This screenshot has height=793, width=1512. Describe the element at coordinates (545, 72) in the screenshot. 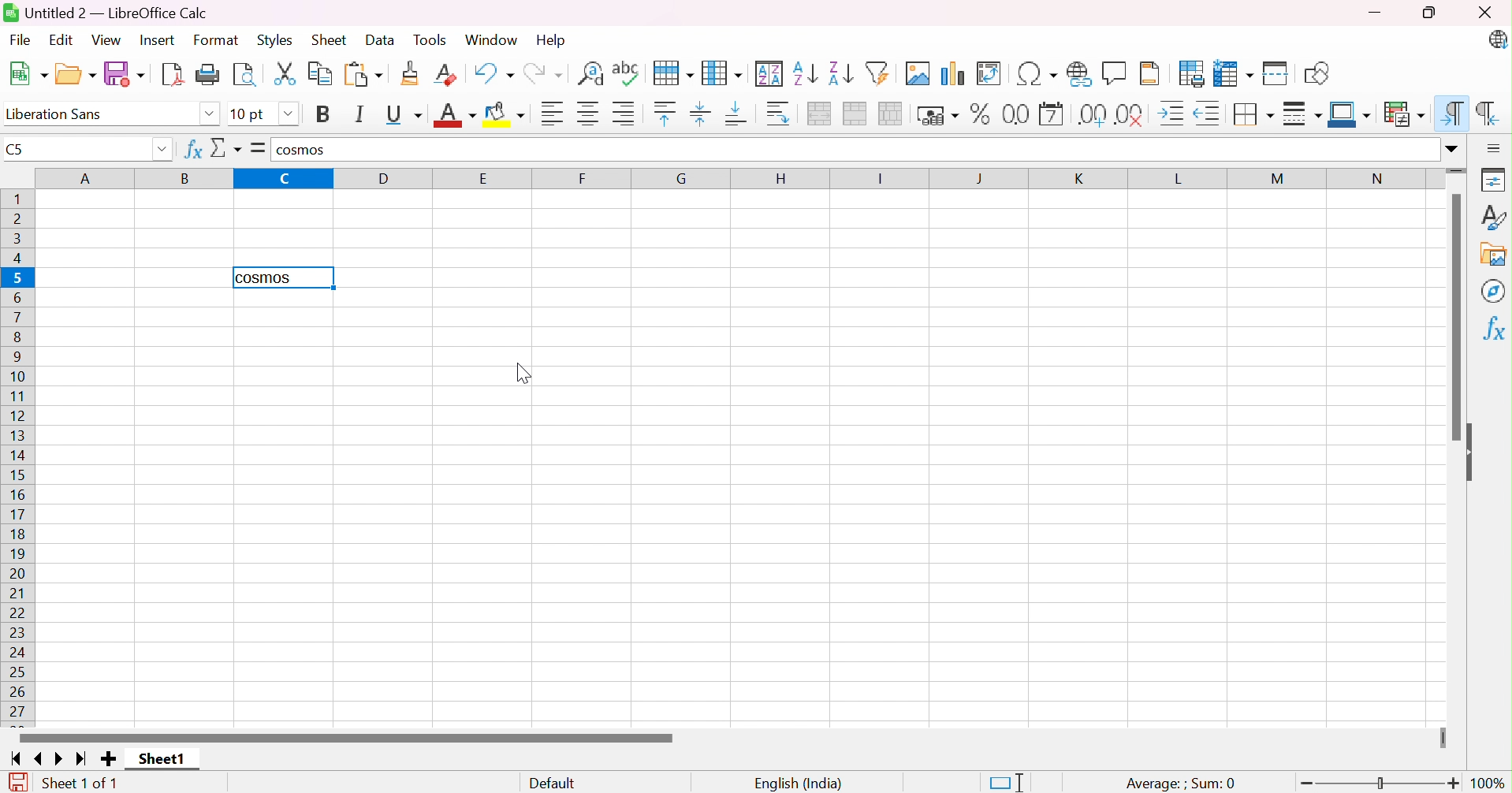

I see `Redo` at that location.